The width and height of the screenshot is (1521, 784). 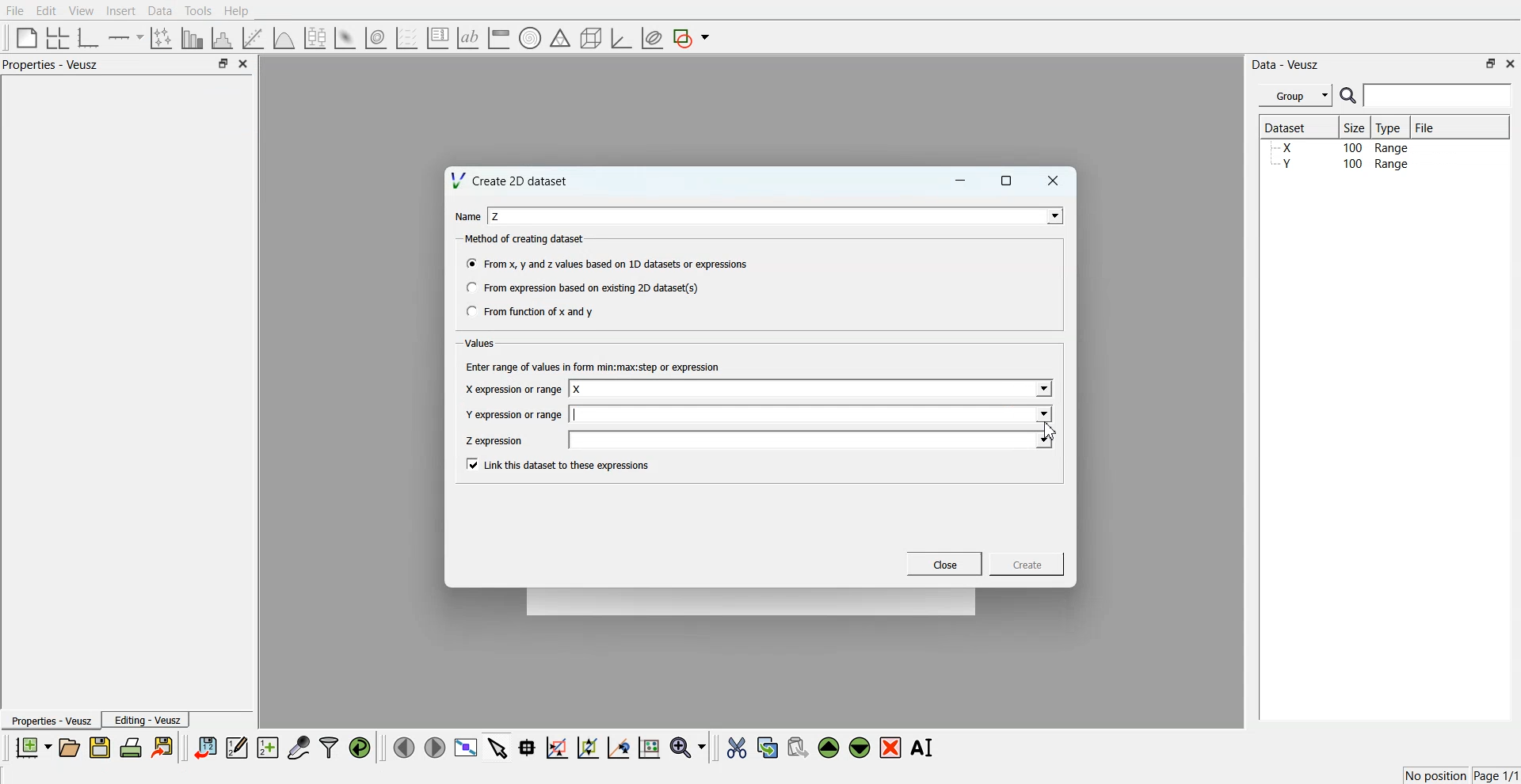 I want to click on Cut the selected widget, so click(x=737, y=748).